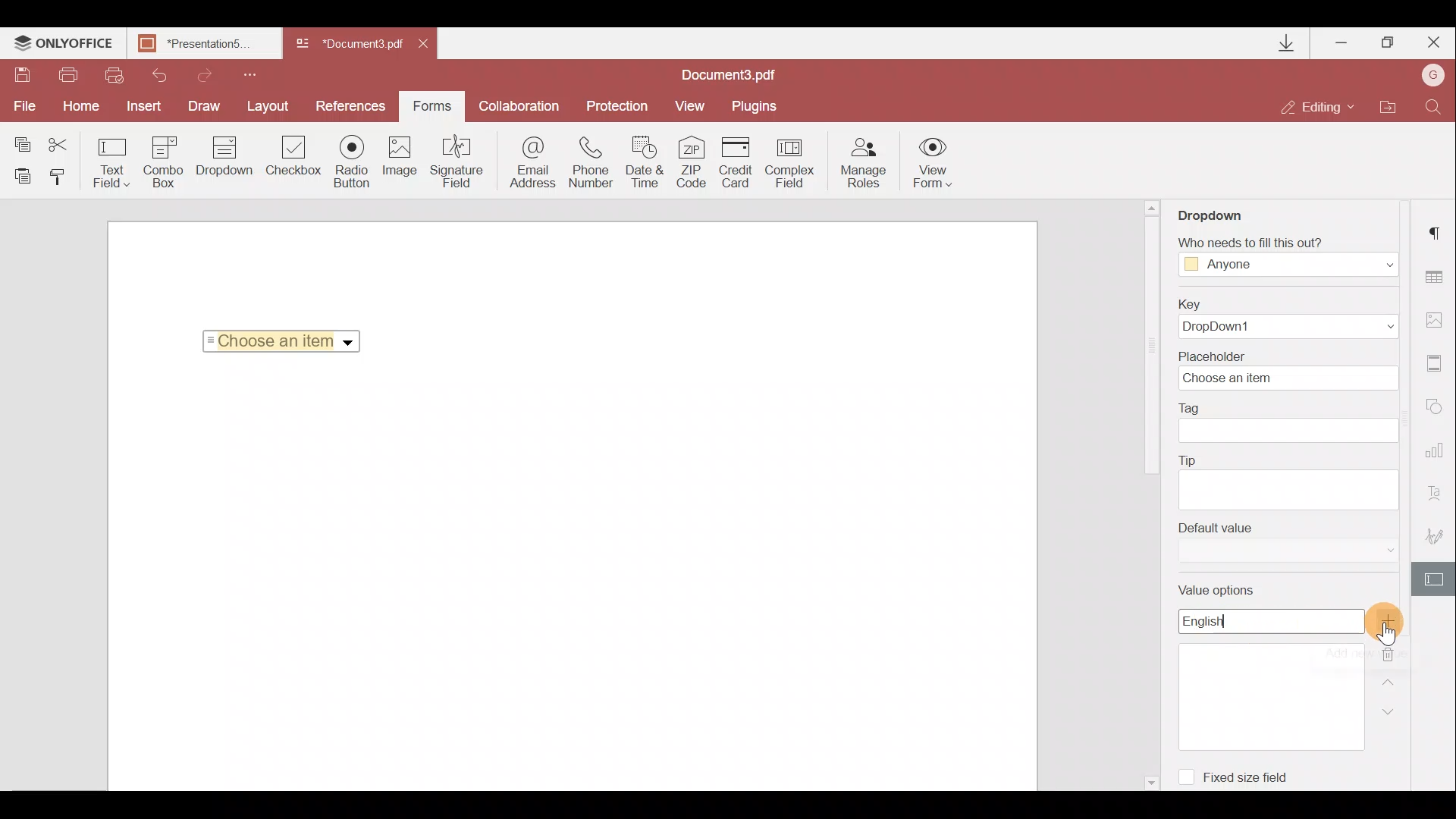 The width and height of the screenshot is (1456, 819). I want to click on Table settings, so click(1436, 277).